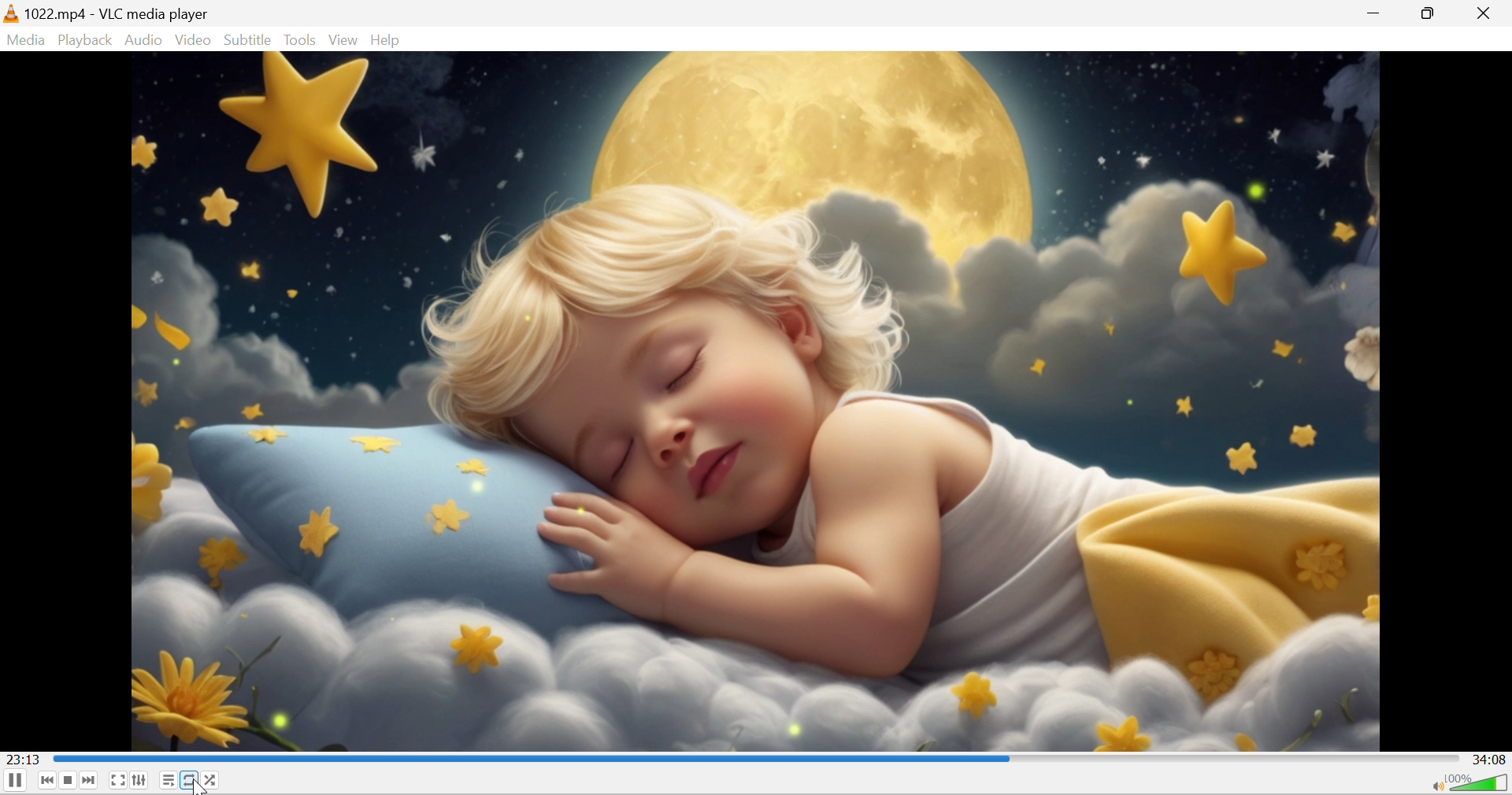  Describe the element at coordinates (25, 40) in the screenshot. I see `Media` at that location.